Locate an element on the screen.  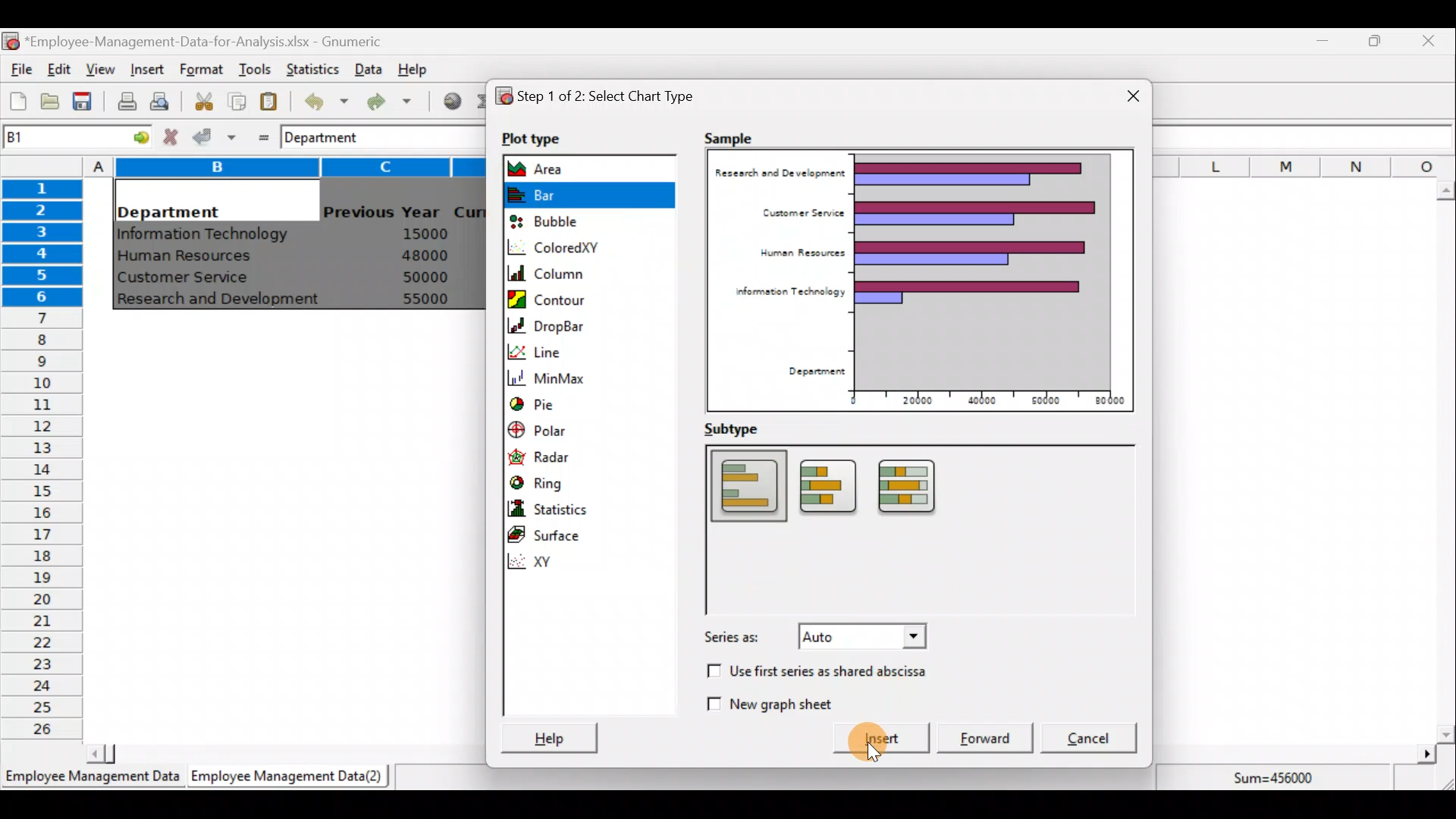
Cancel is located at coordinates (1097, 739).